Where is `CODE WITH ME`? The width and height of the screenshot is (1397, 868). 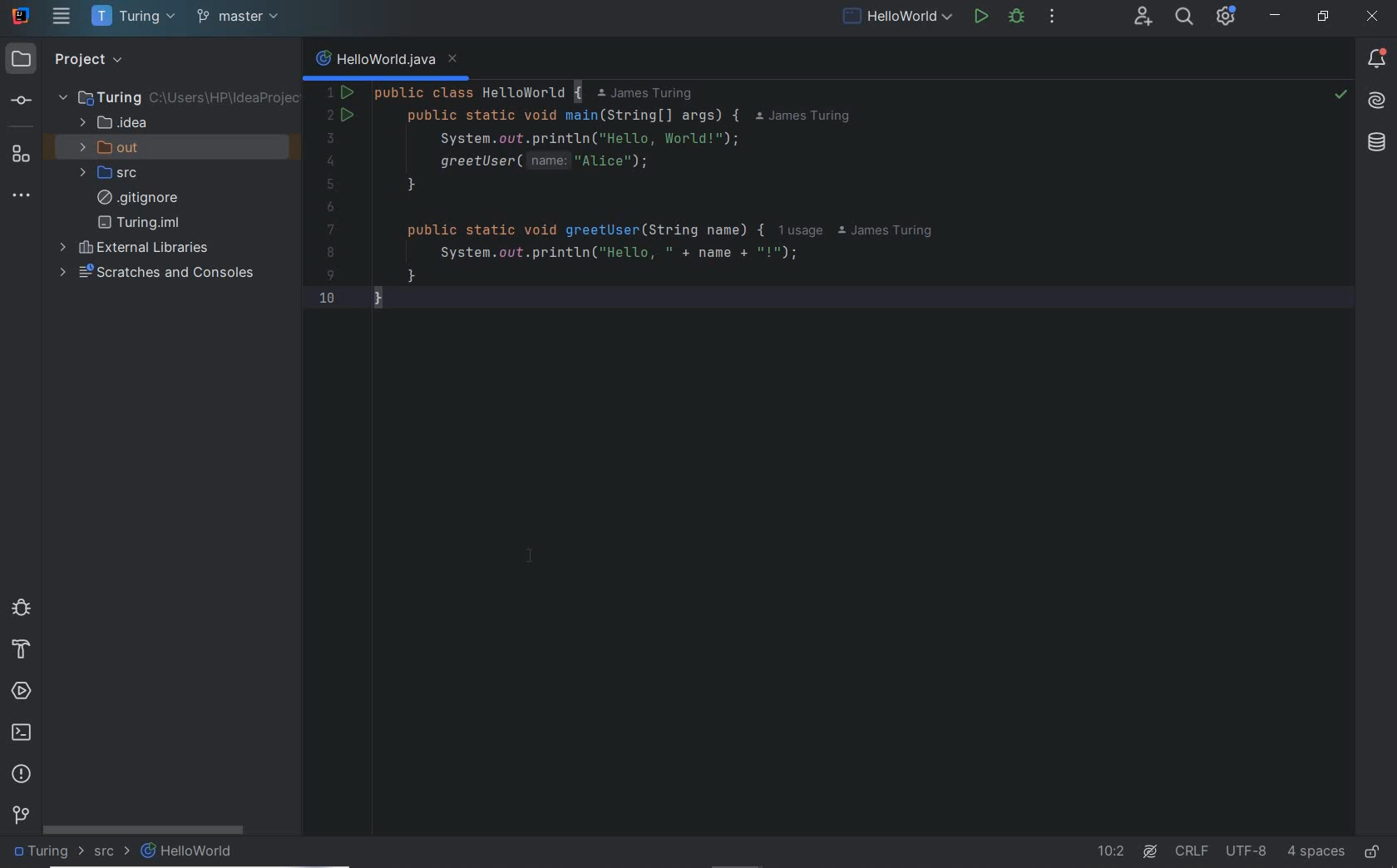
CODE WITH ME is located at coordinates (1142, 17).